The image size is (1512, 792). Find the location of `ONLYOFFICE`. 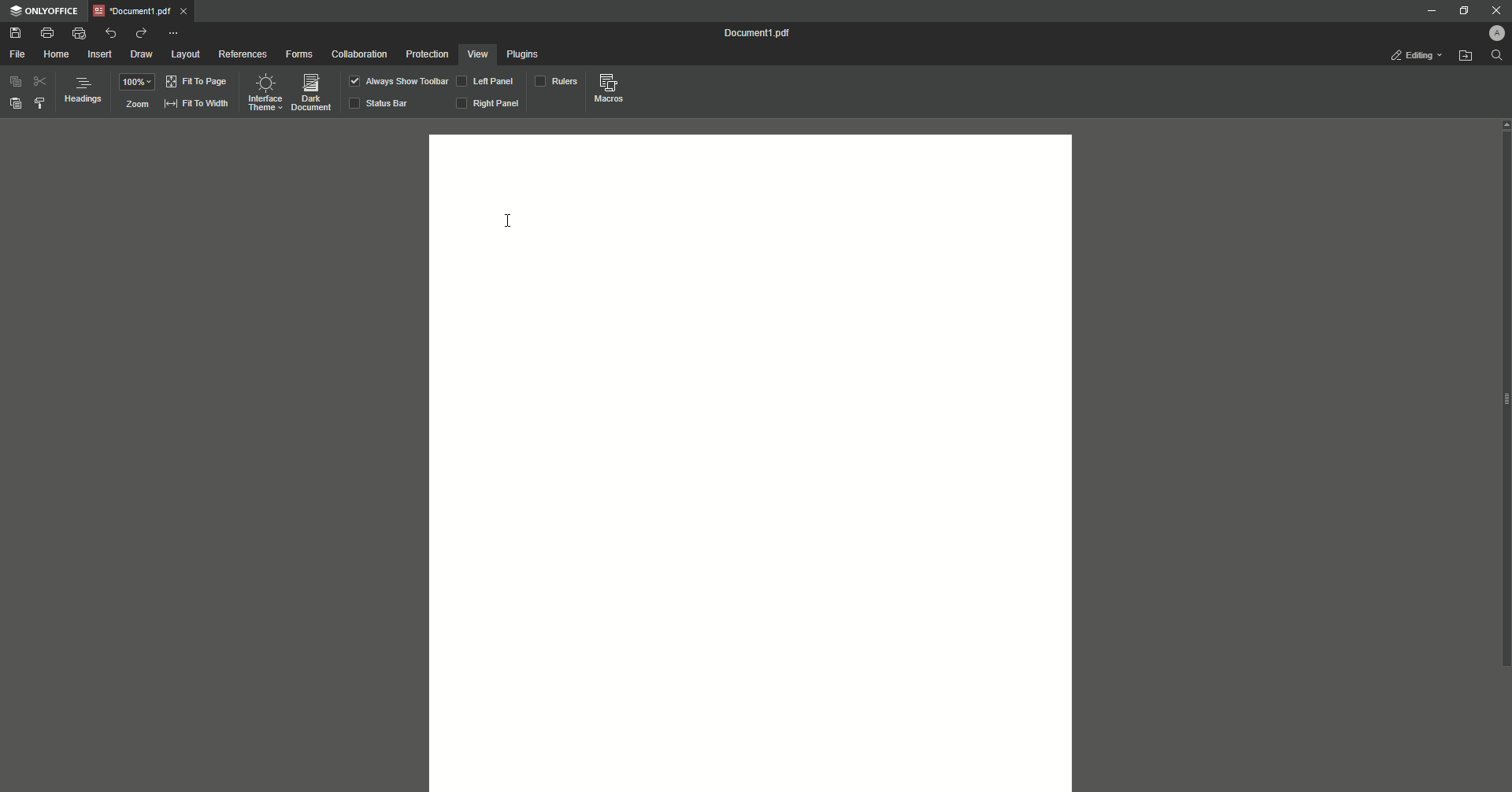

ONLYOFFICE is located at coordinates (44, 11).